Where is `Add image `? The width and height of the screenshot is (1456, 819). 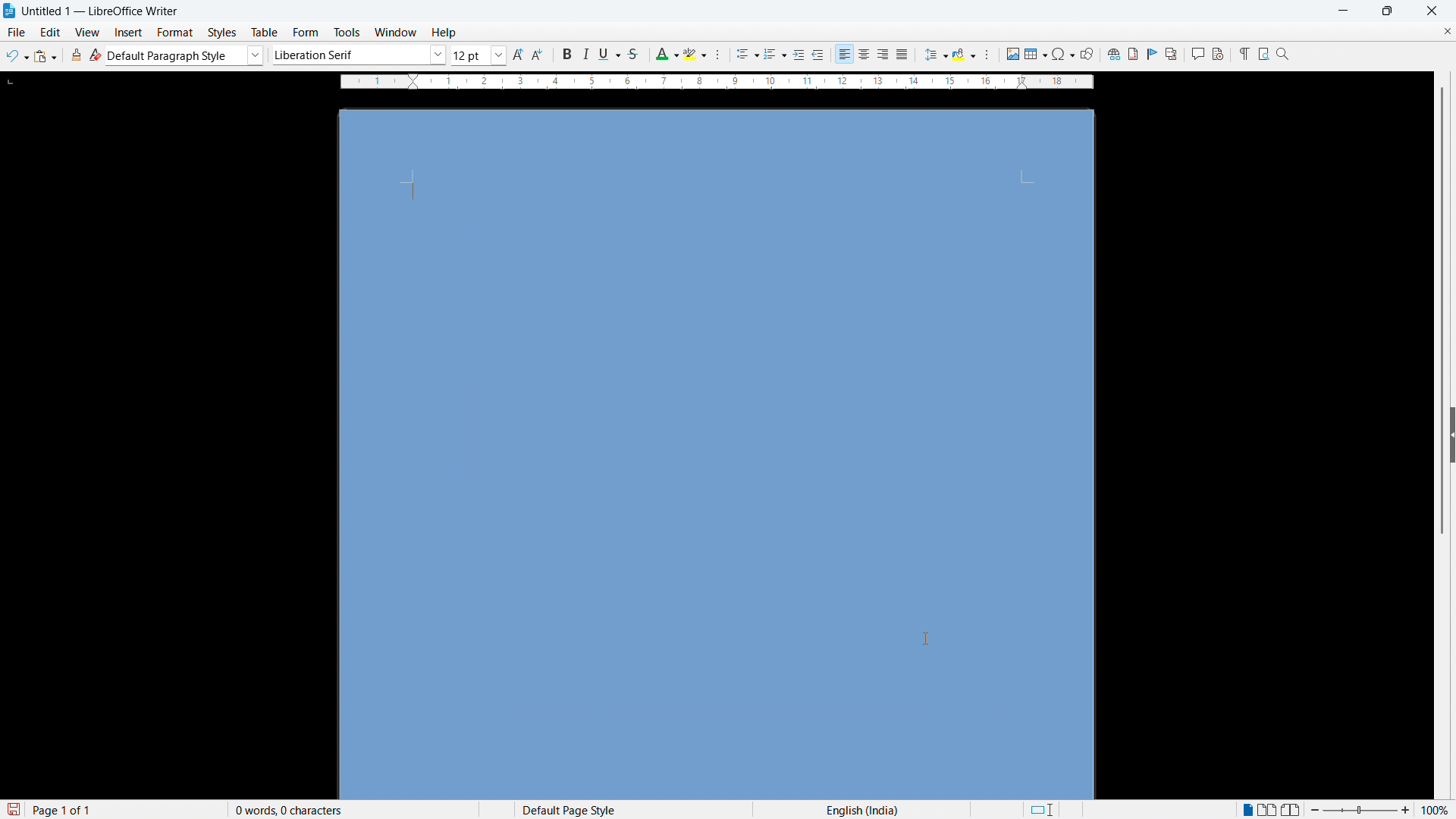
Add image  is located at coordinates (1012, 53).